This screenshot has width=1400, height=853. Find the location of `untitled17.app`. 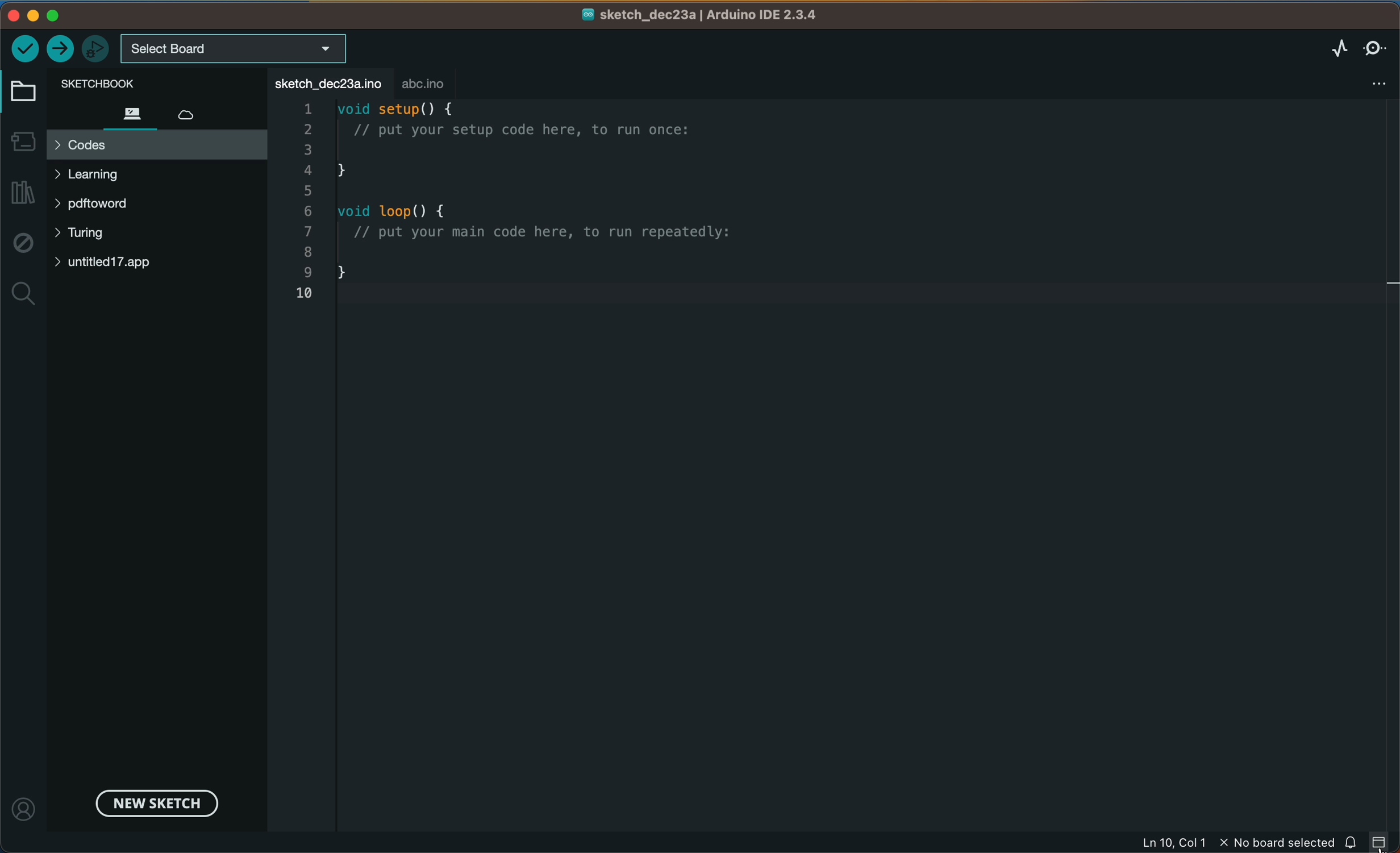

untitled17.app is located at coordinates (126, 264).